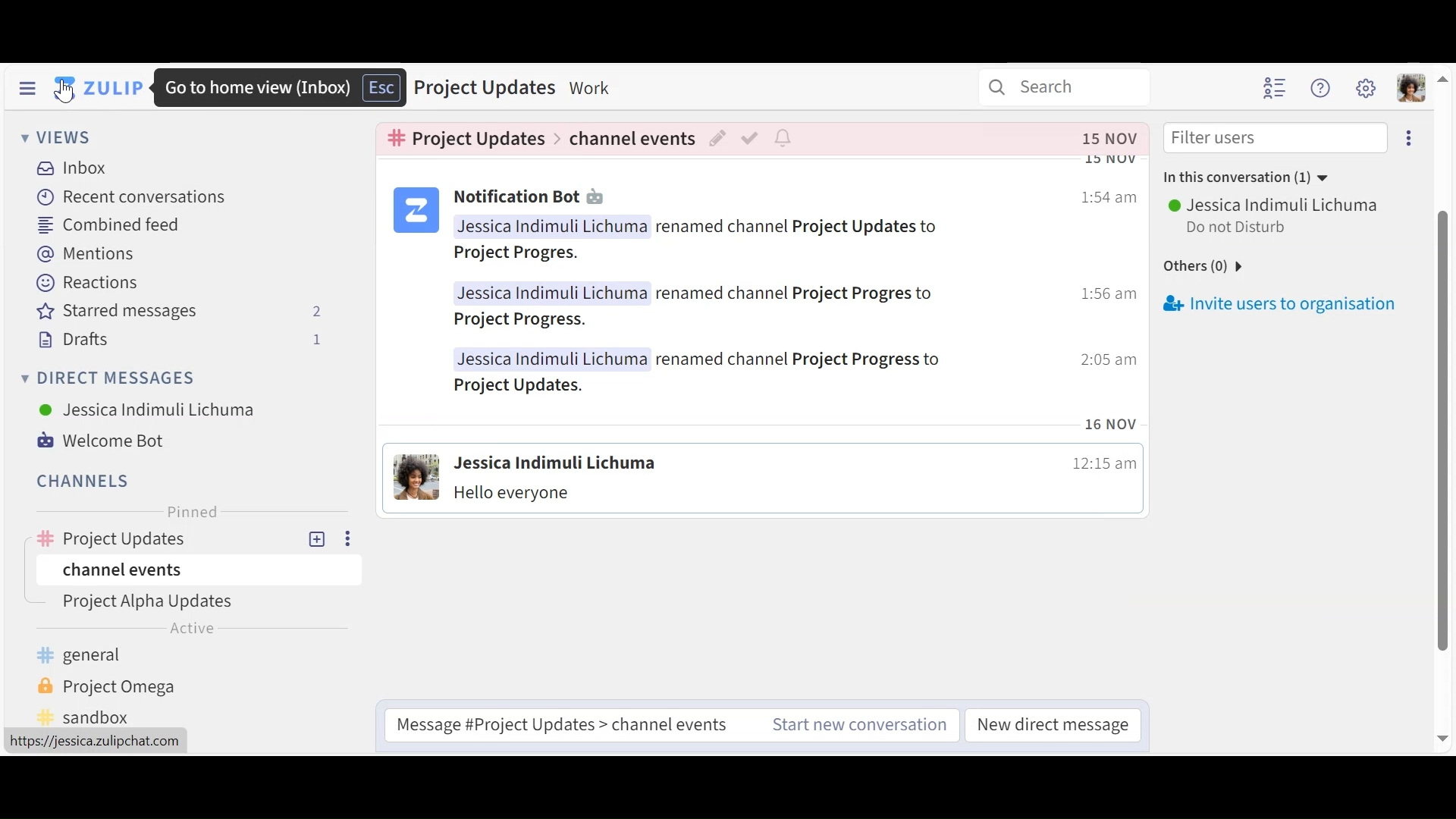 The height and width of the screenshot is (819, 1456). What do you see at coordinates (1410, 138) in the screenshot?
I see `ellipsis` at bounding box center [1410, 138].